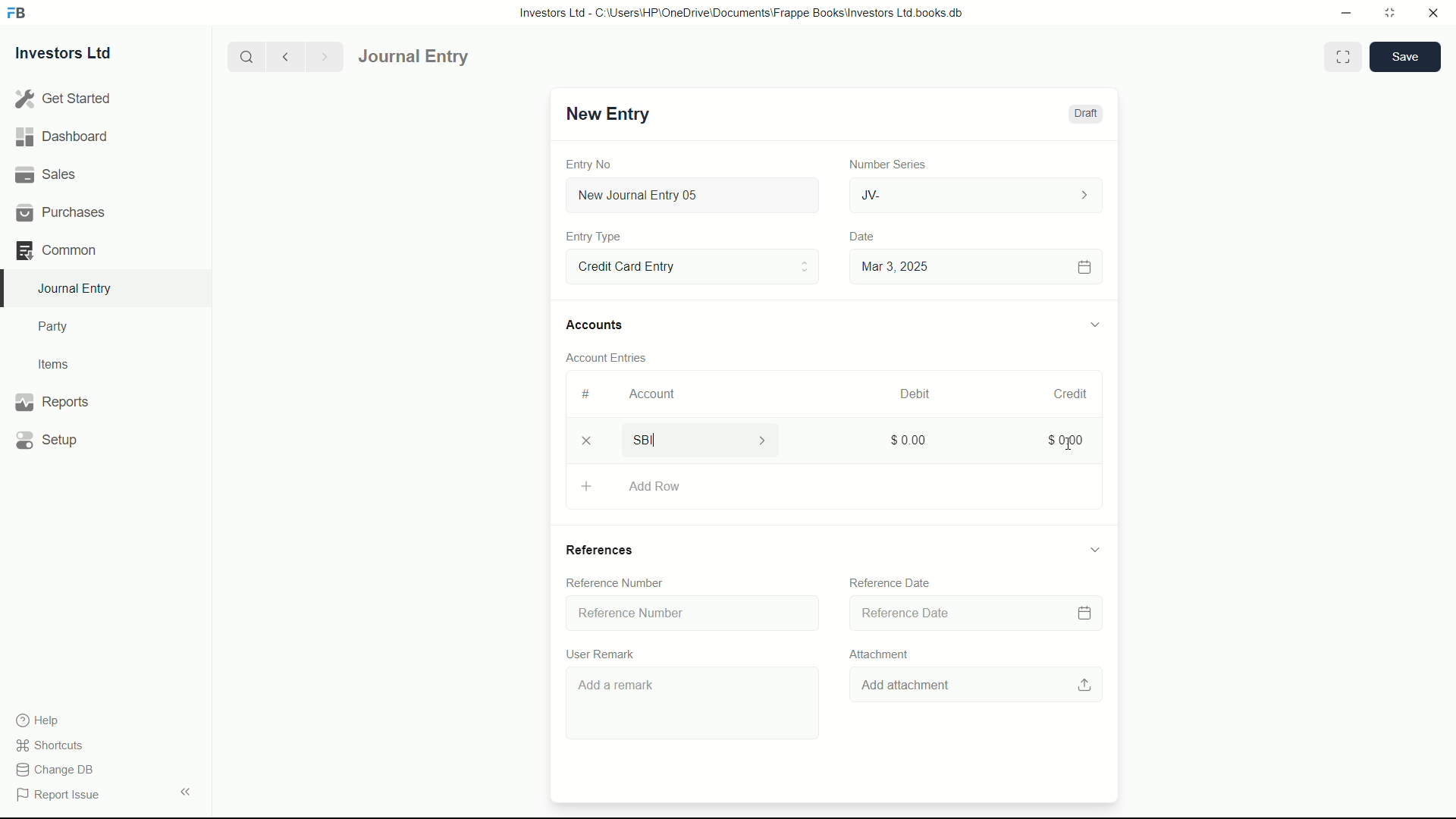 This screenshot has width=1456, height=819. I want to click on delete, so click(585, 443).